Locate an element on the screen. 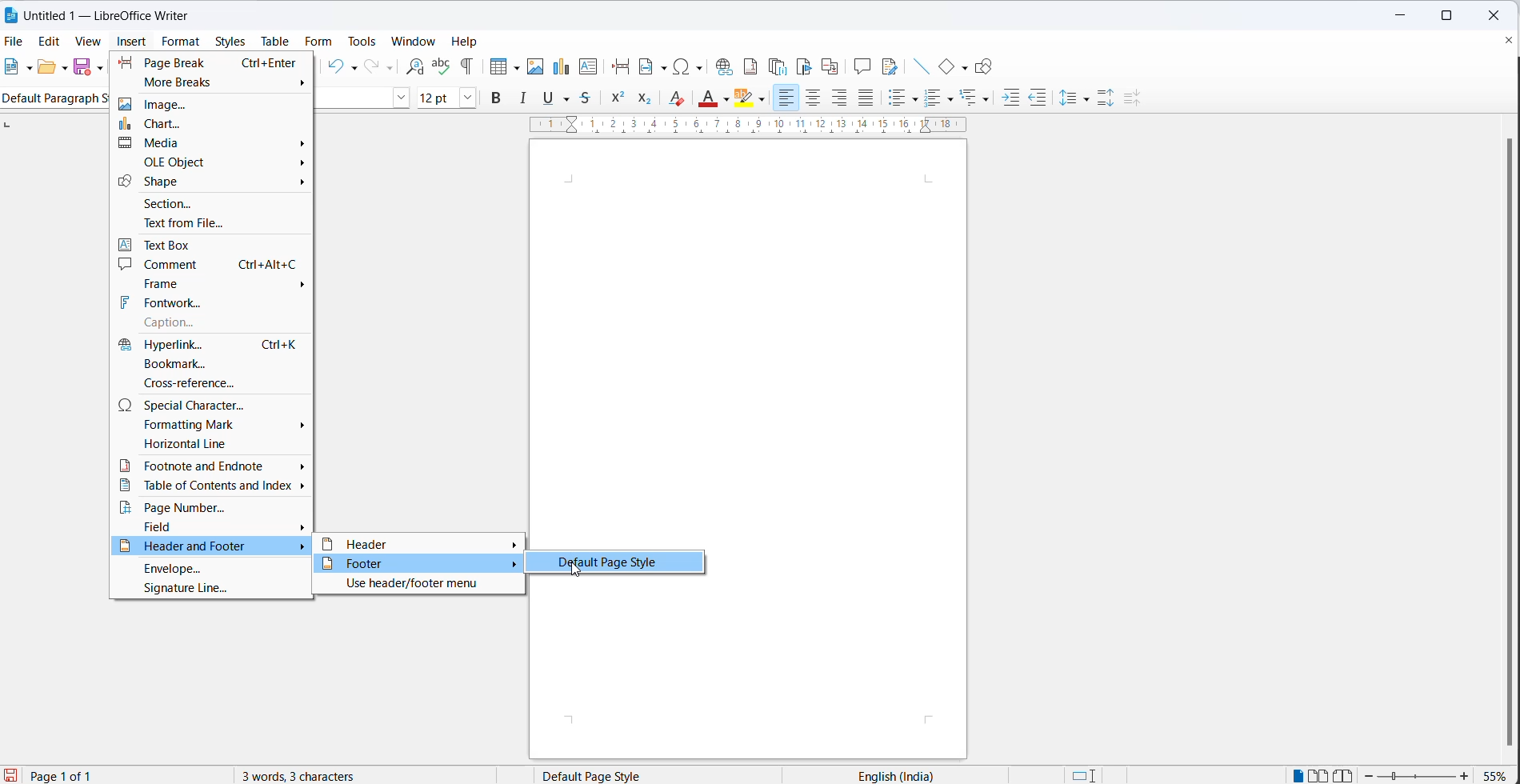 The width and height of the screenshot is (1520, 784). caption is located at coordinates (206, 324).